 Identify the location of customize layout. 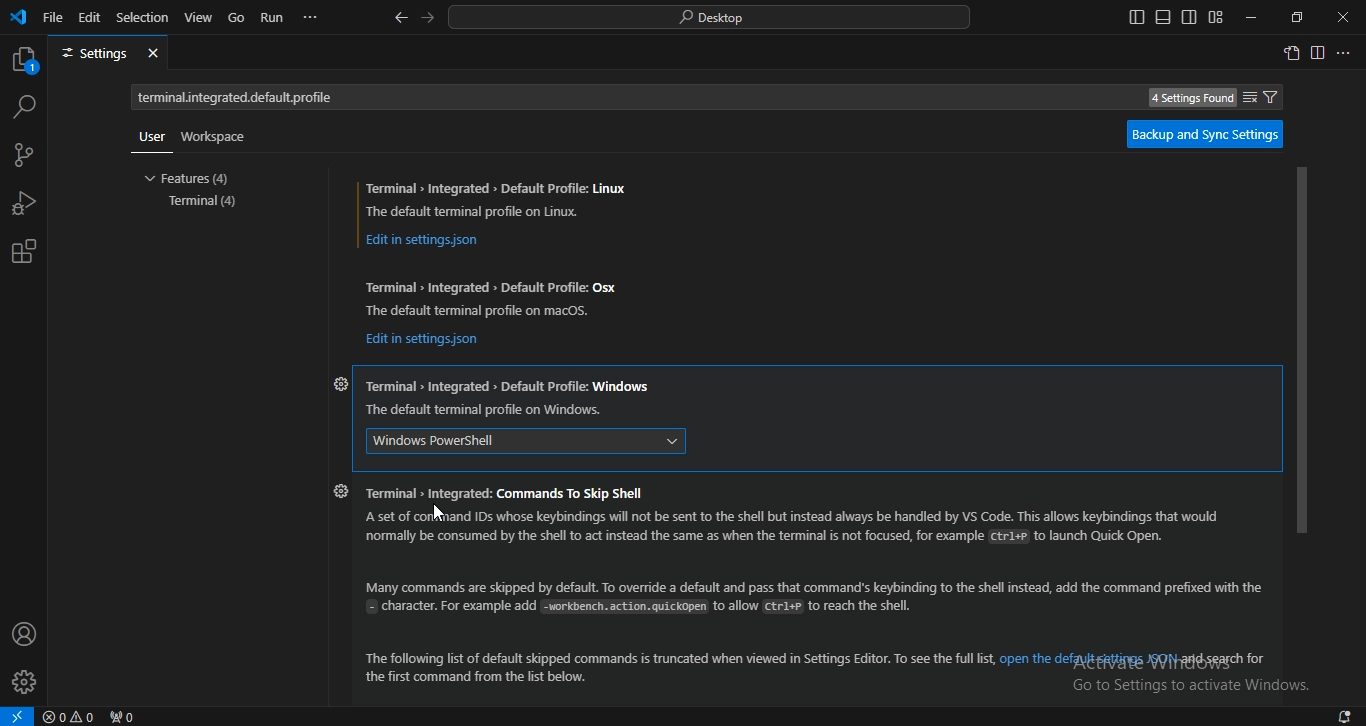
(1216, 16).